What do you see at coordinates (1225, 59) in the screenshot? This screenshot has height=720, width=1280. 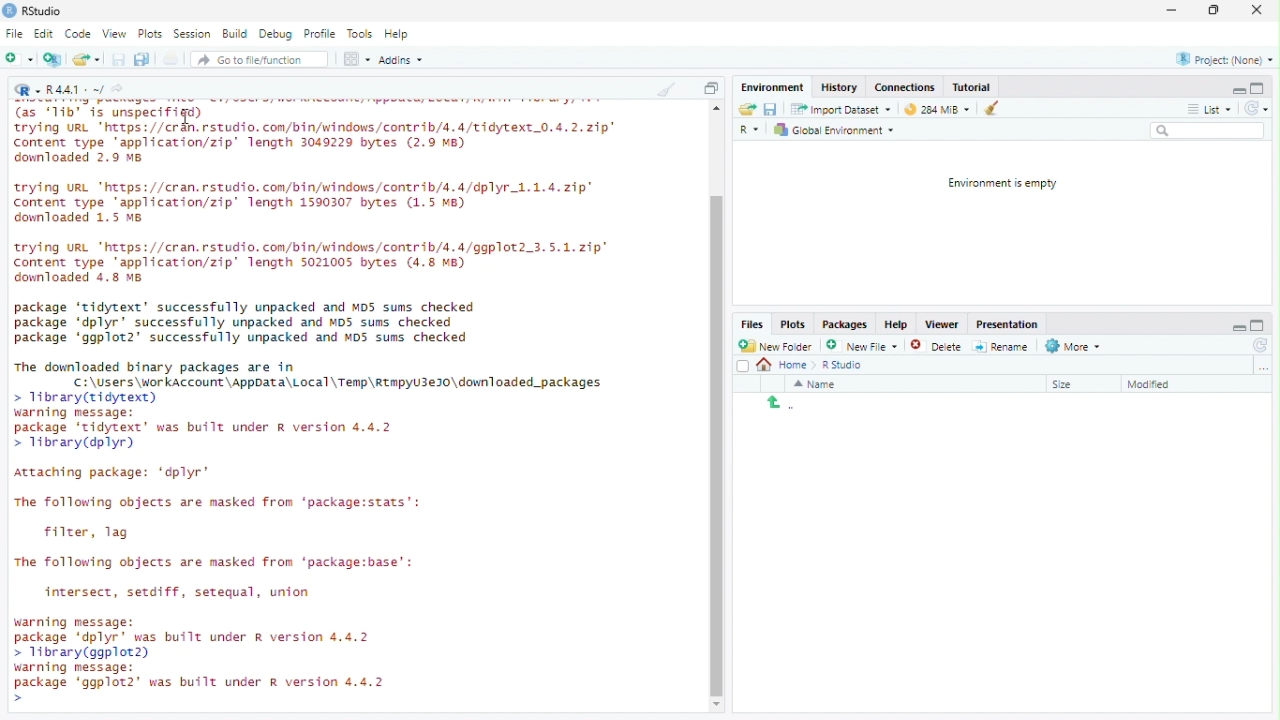 I see `Project: (None)` at bounding box center [1225, 59].